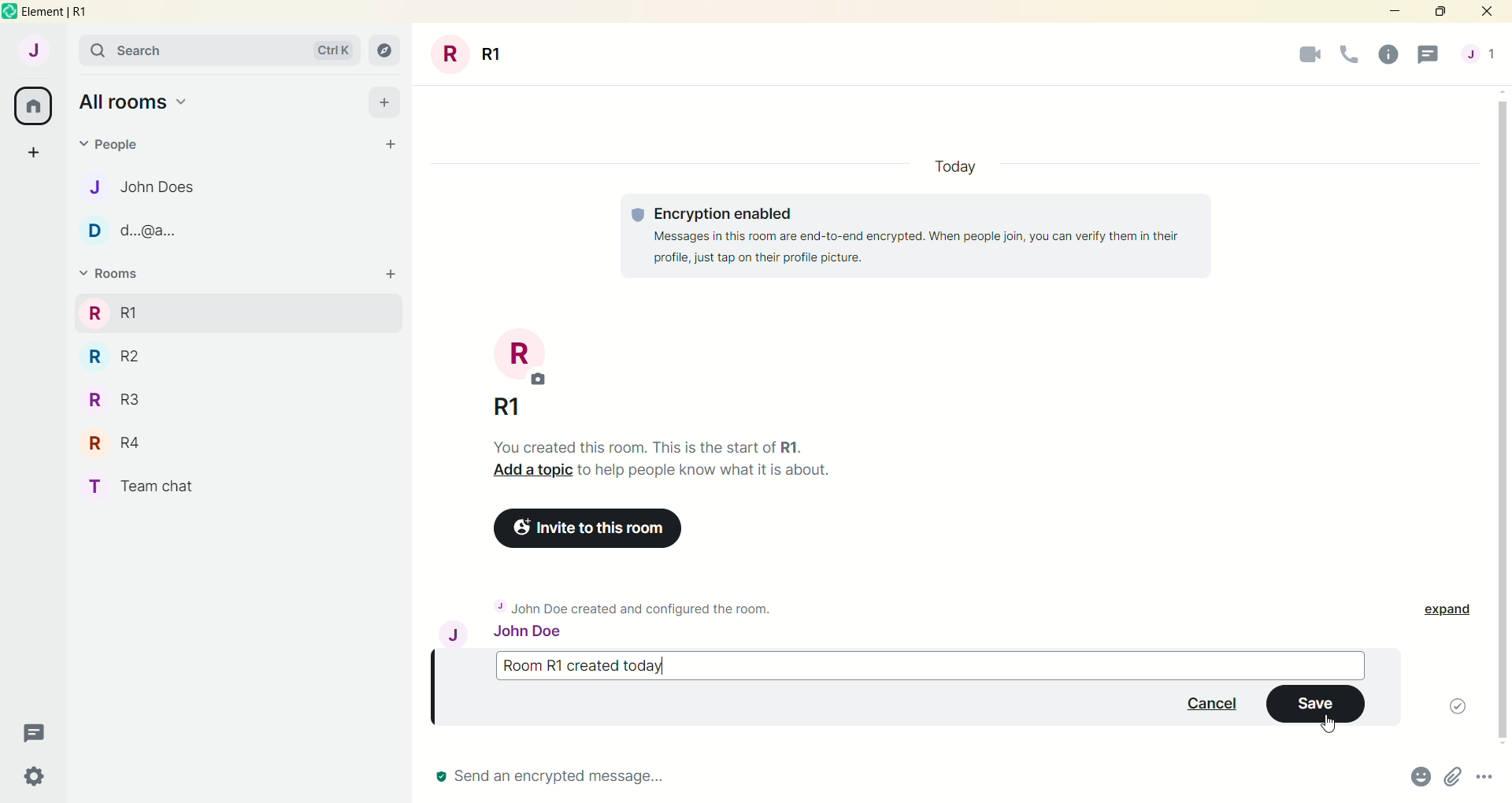 The height and width of the screenshot is (803, 1512). Describe the element at coordinates (34, 106) in the screenshot. I see `all rooms` at that location.